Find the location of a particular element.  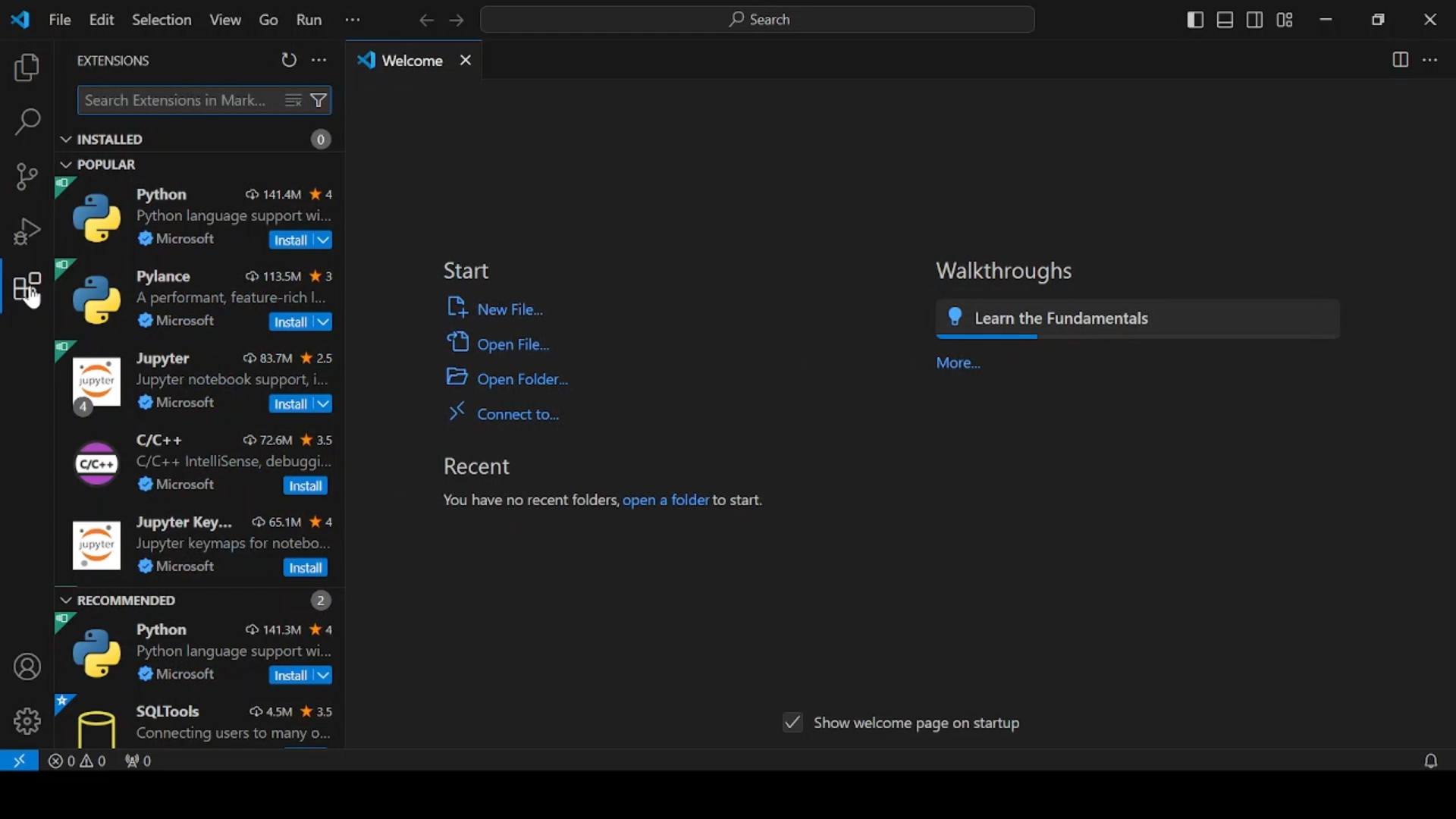

go is located at coordinates (265, 20).